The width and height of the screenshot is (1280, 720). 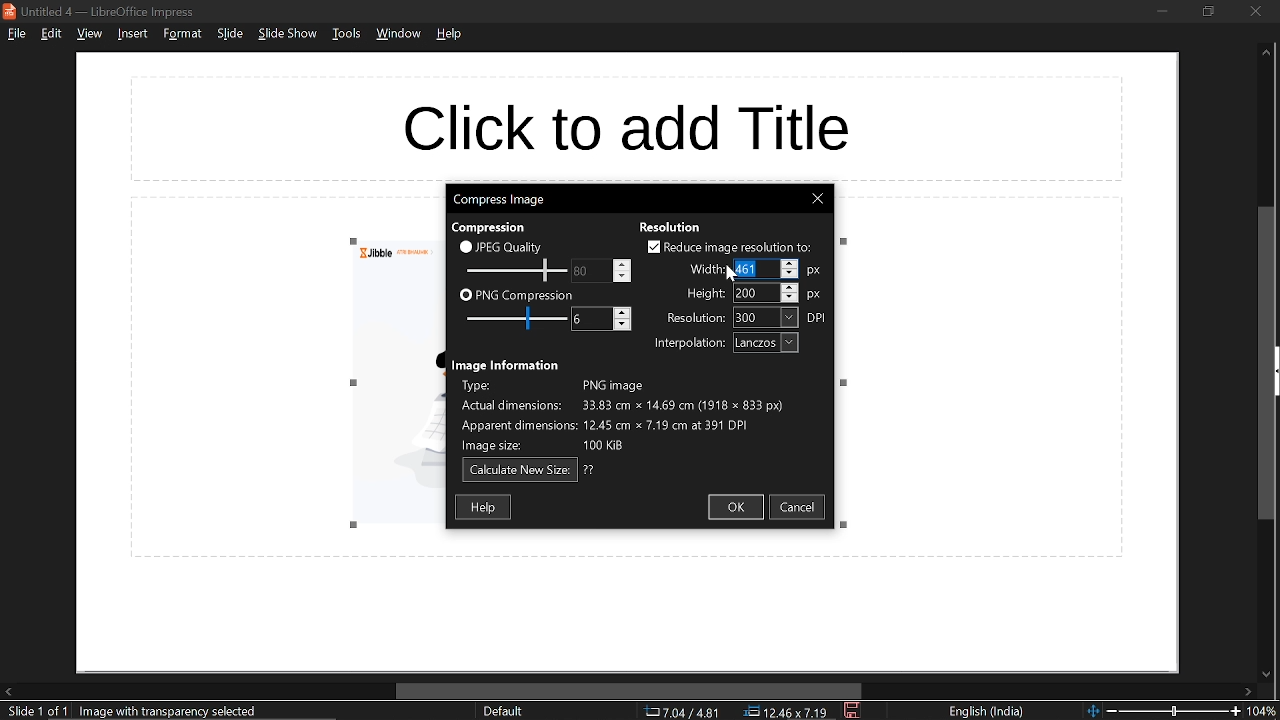 What do you see at coordinates (1210, 12) in the screenshot?
I see `restore down` at bounding box center [1210, 12].